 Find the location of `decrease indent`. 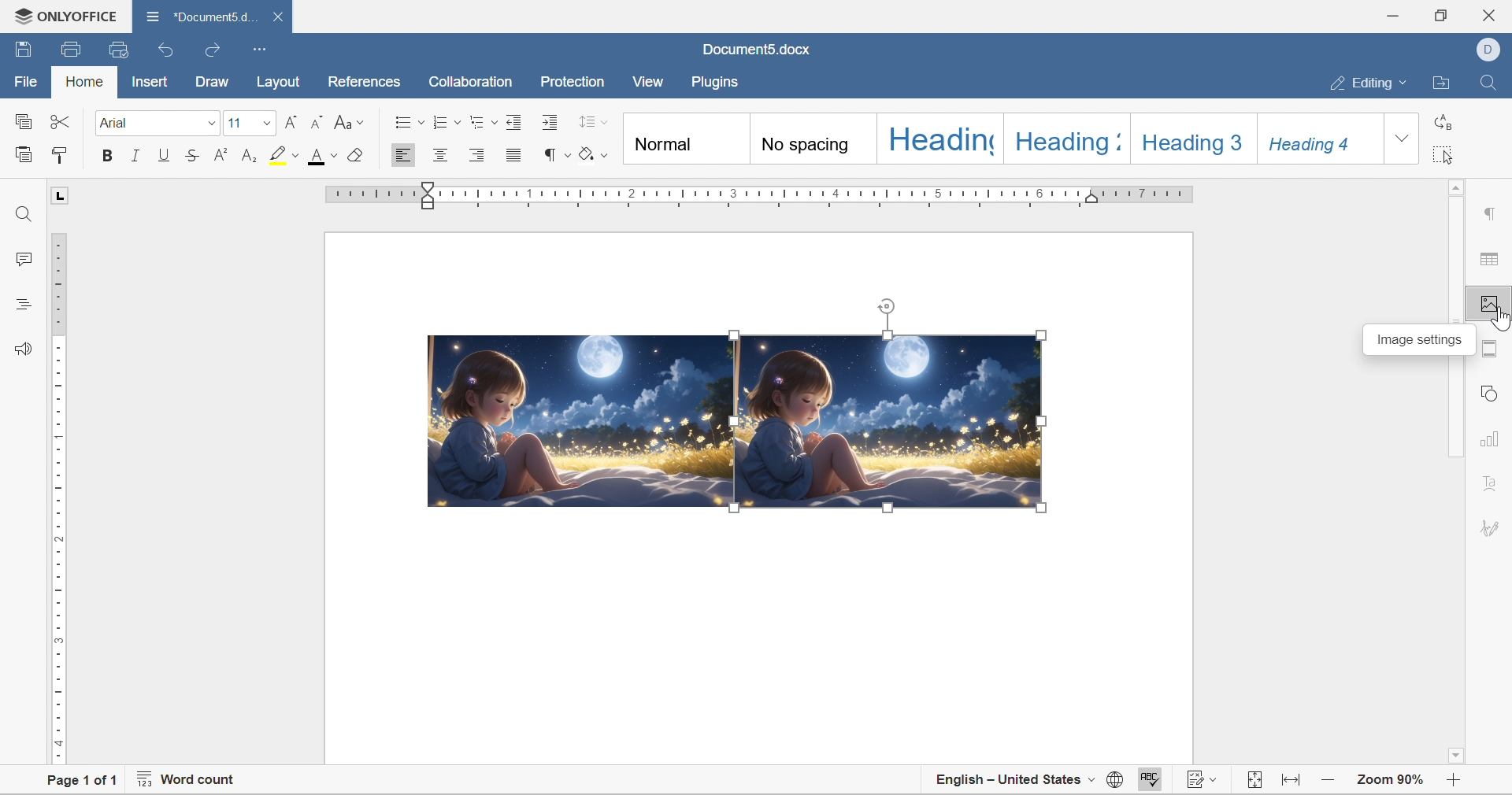

decrease indent is located at coordinates (516, 121).